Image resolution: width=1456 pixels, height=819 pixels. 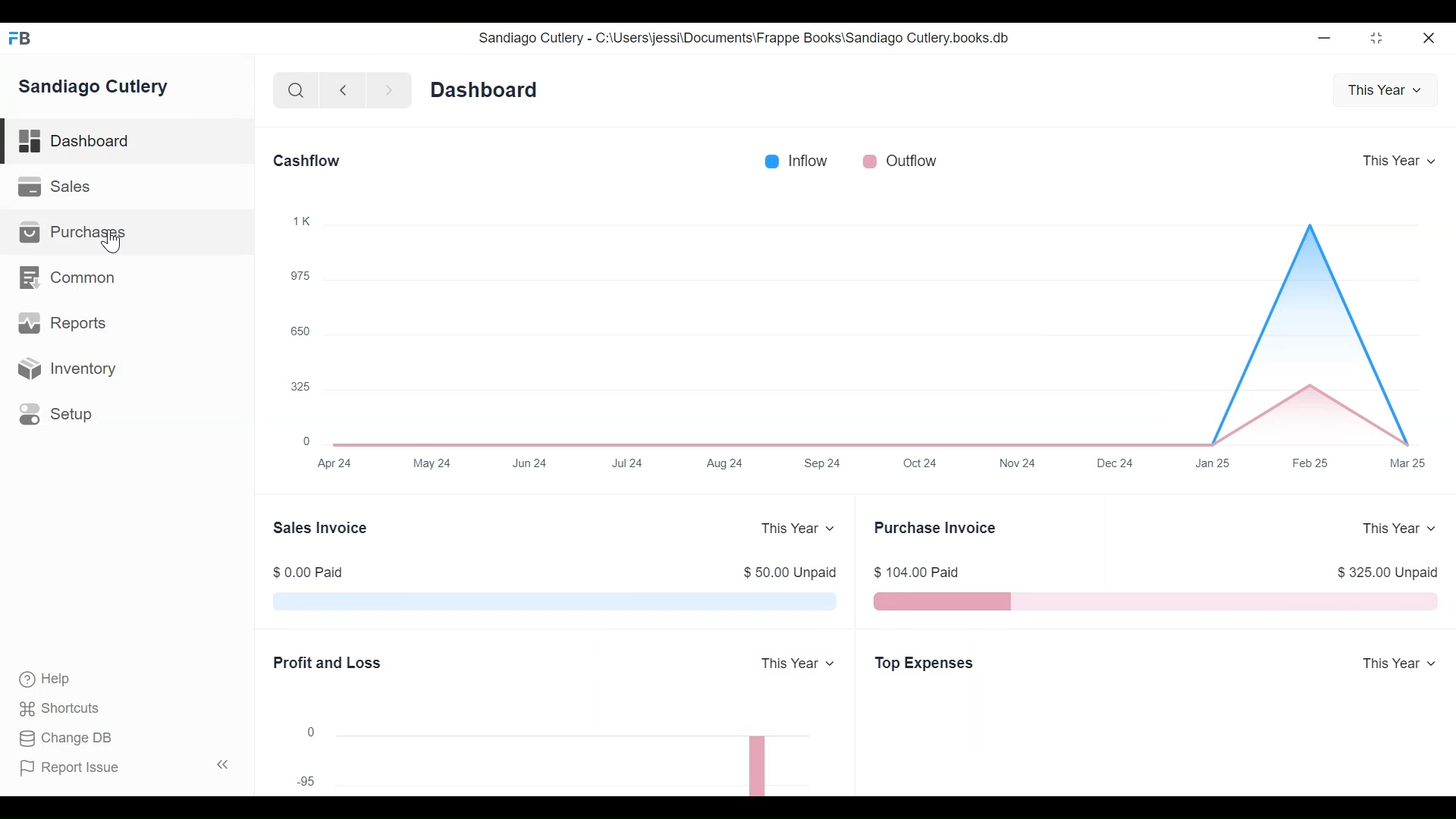 What do you see at coordinates (297, 272) in the screenshot?
I see `975` at bounding box center [297, 272].